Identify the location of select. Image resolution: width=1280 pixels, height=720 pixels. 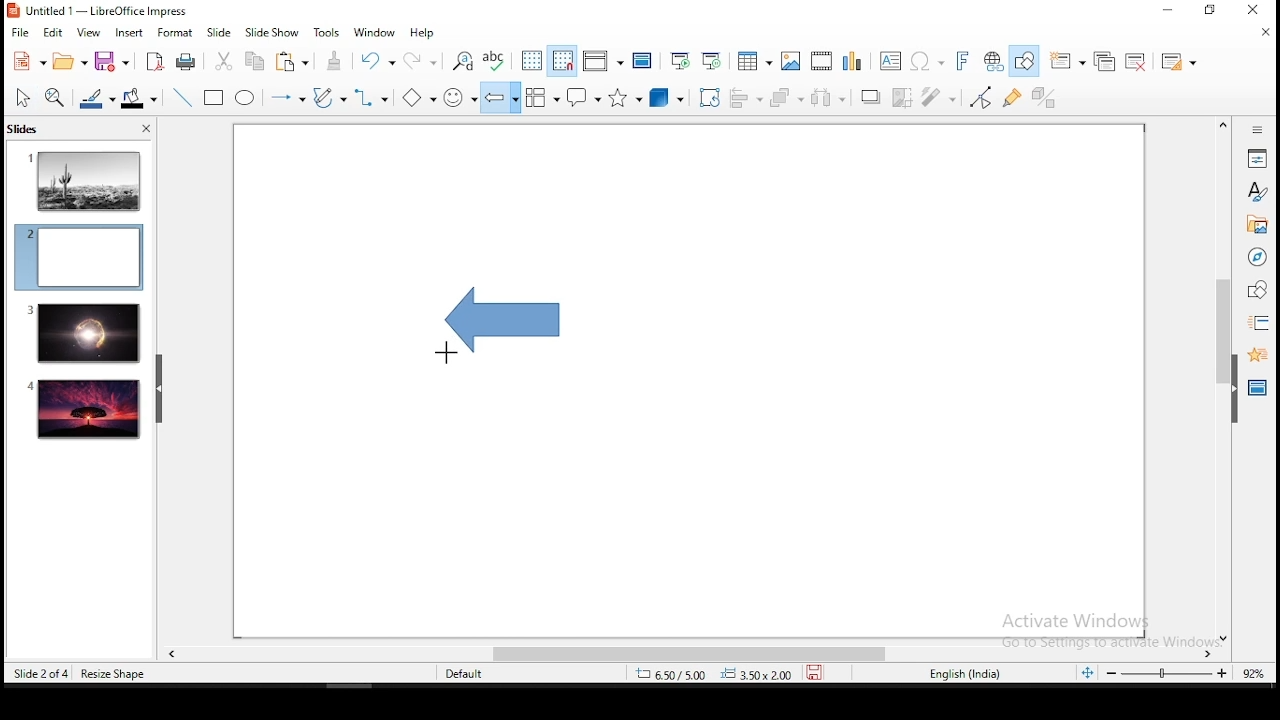
(23, 97).